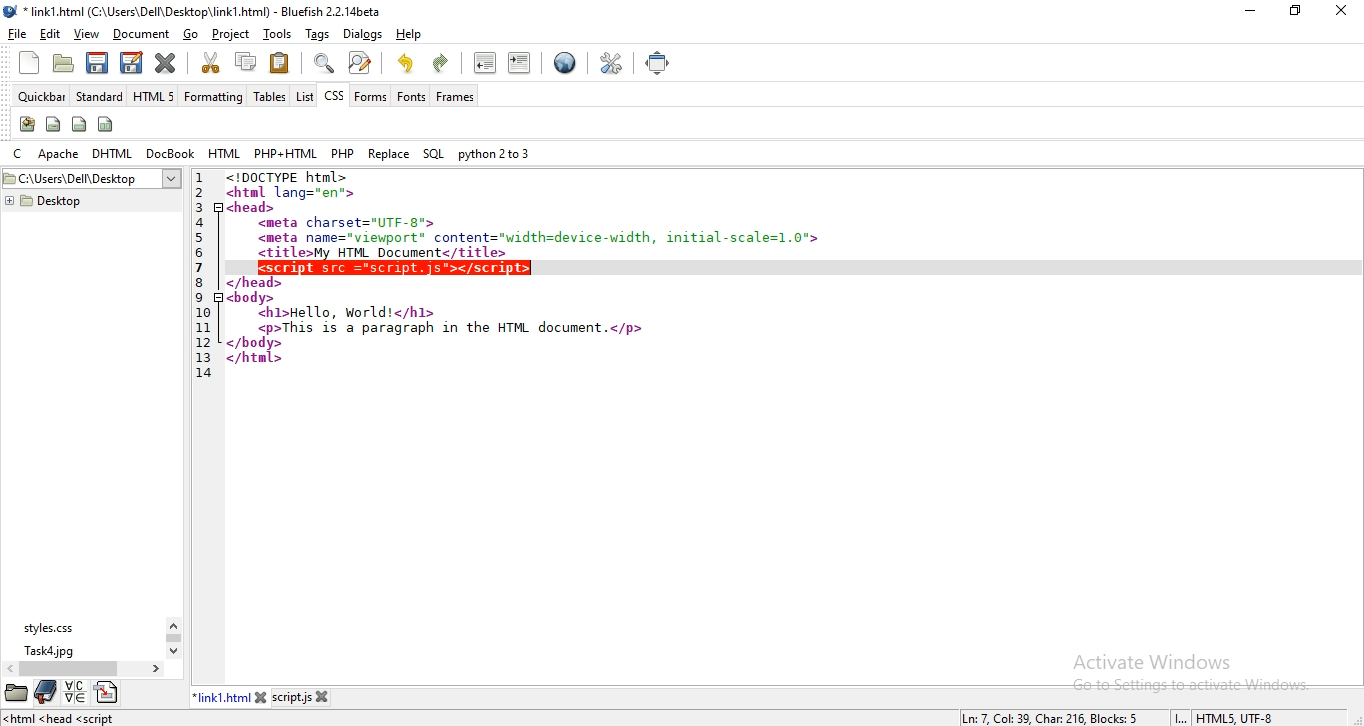  I want to click on cut, so click(210, 61).